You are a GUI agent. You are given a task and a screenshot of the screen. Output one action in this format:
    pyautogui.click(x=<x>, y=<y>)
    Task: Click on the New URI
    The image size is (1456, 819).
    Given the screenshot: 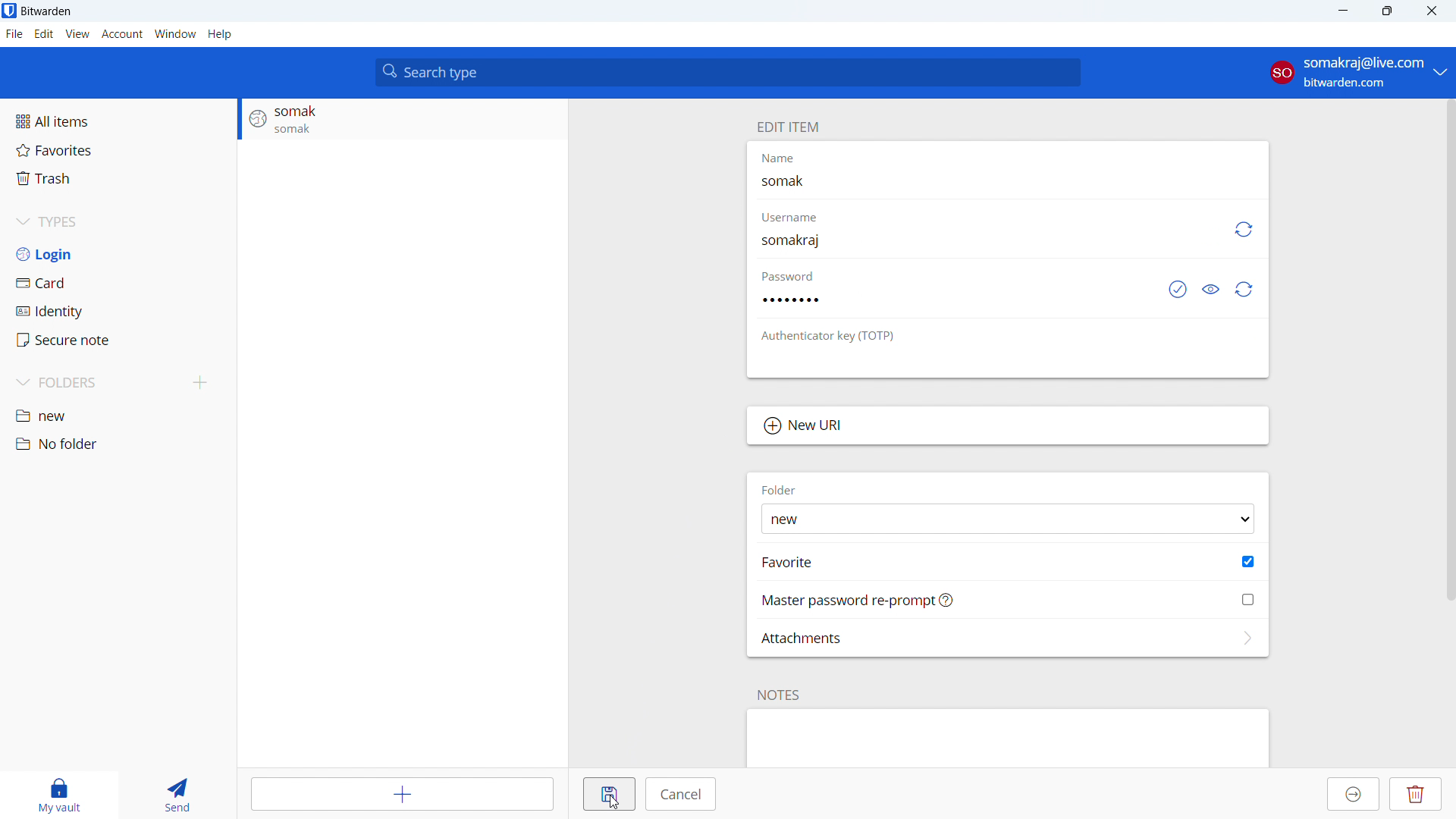 What is the action you would take?
    pyautogui.click(x=1008, y=426)
    